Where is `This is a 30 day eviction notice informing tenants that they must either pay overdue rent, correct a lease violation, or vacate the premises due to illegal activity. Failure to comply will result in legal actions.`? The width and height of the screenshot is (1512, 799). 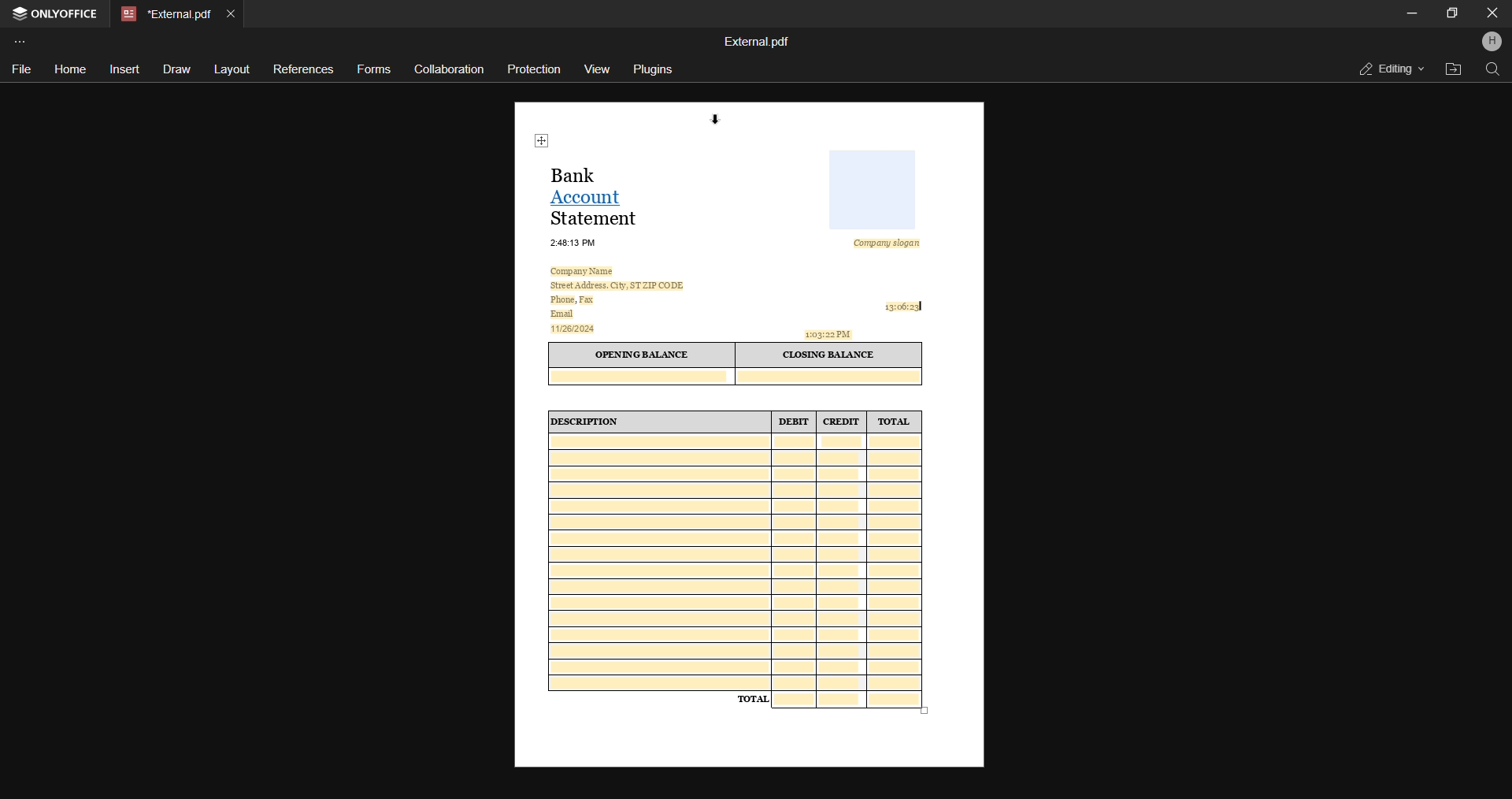
This is a 30 day eviction notice informing tenants that they must either pay overdue rent, correct a lease violation, or vacate the premises due to illegal activity. Failure to comply will result in legal actions. is located at coordinates (747, 435).